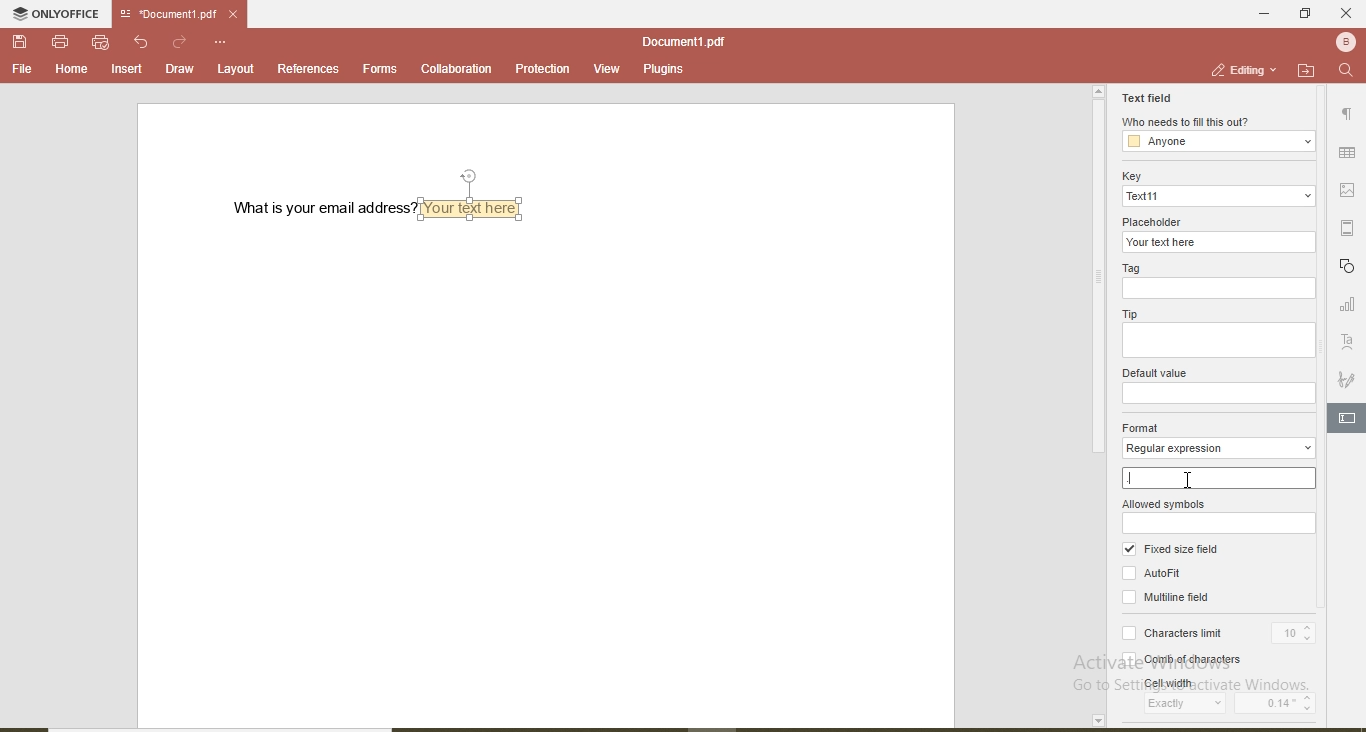  I want to click on close, so click(1346, 13).